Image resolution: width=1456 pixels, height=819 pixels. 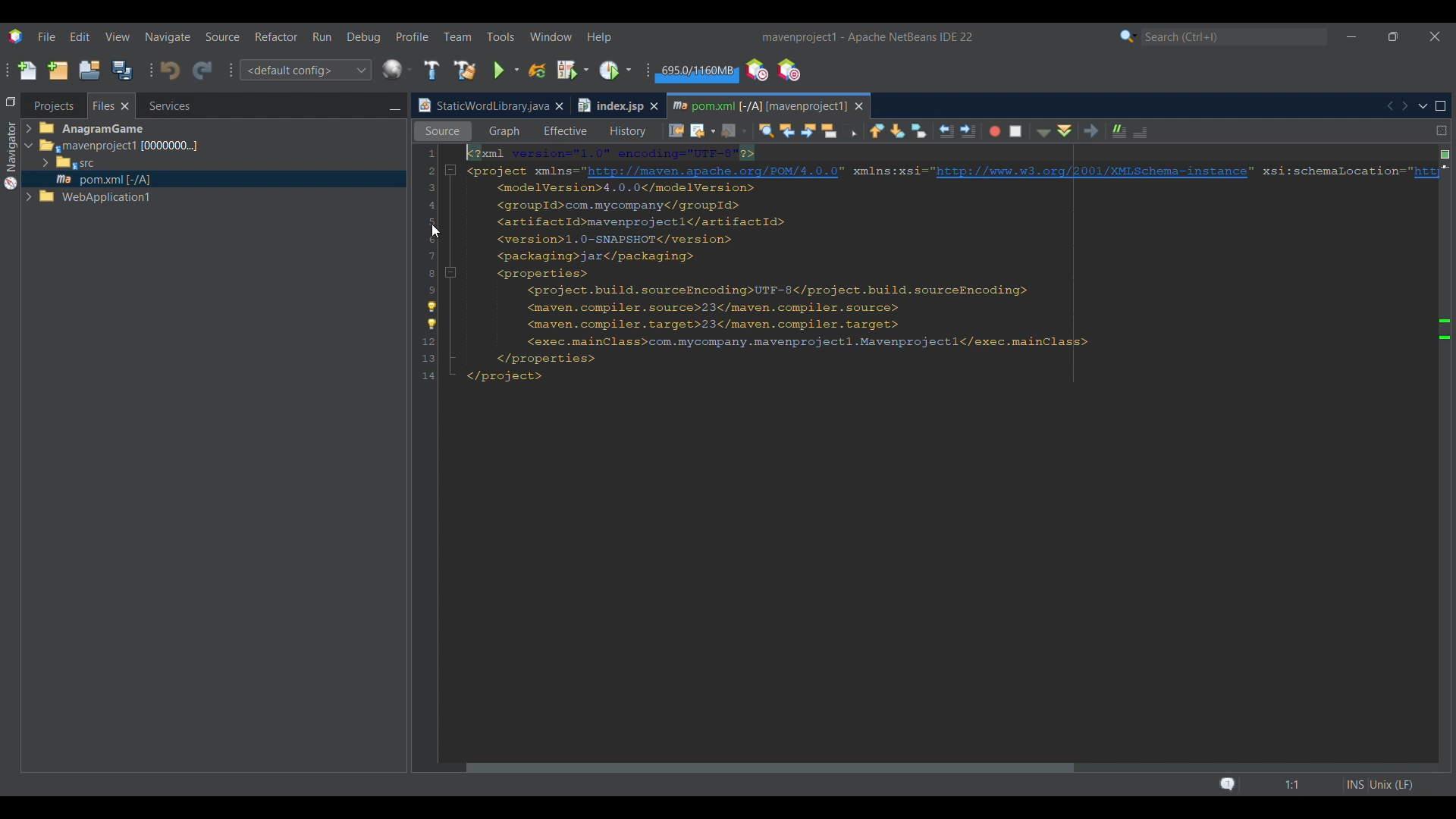 I want to click on Find previous occurrence, so click(x=788, y=132).